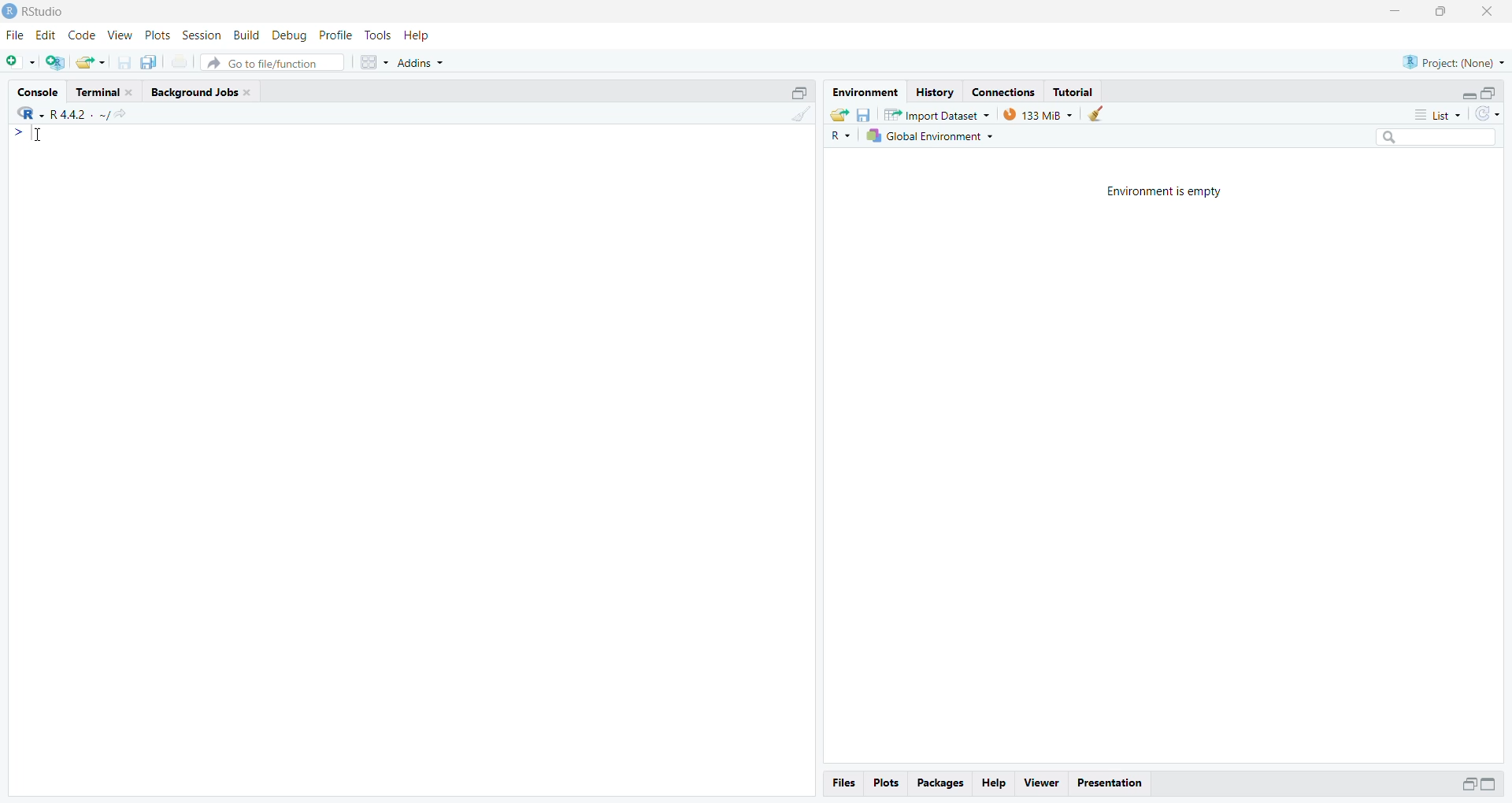  I want to click on R+ XK ~R4sl- ~/, so click(72, 114).